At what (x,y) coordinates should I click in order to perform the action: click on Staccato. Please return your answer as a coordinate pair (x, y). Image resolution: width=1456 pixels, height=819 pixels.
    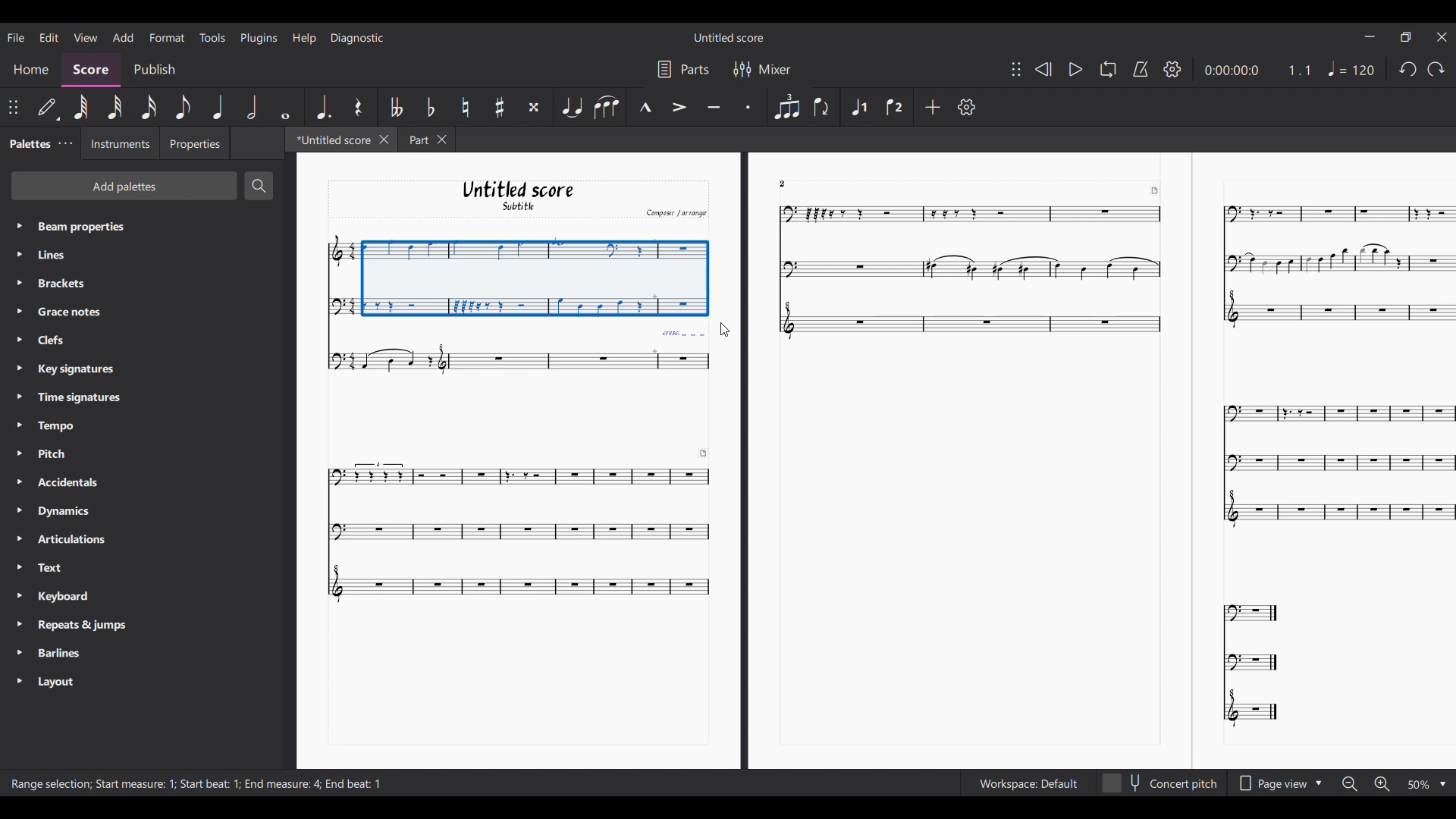
    Looking at the image, I should click on (747, 106).